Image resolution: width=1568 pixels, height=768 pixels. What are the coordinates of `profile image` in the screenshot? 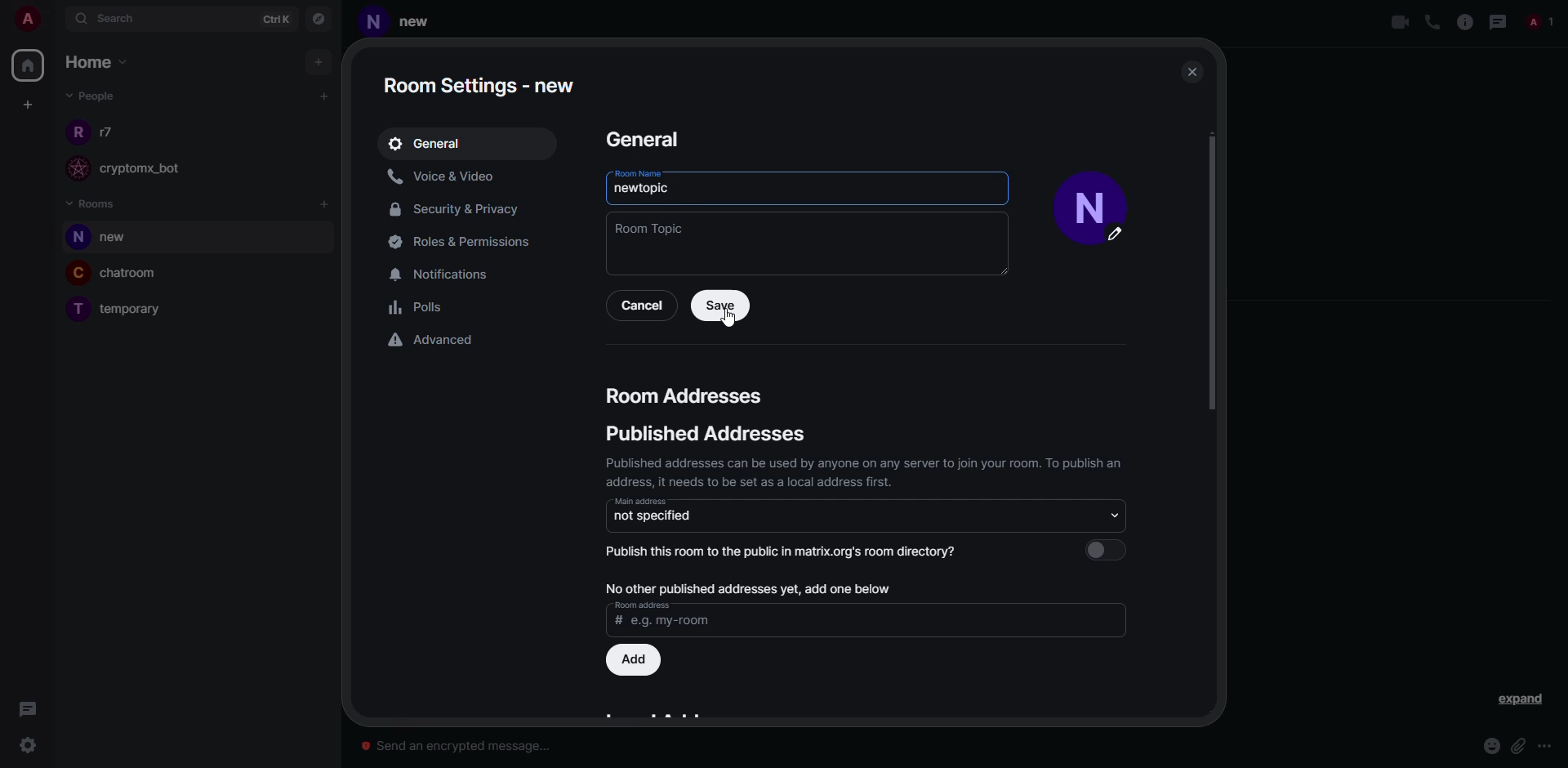 It's located at (74, 311).